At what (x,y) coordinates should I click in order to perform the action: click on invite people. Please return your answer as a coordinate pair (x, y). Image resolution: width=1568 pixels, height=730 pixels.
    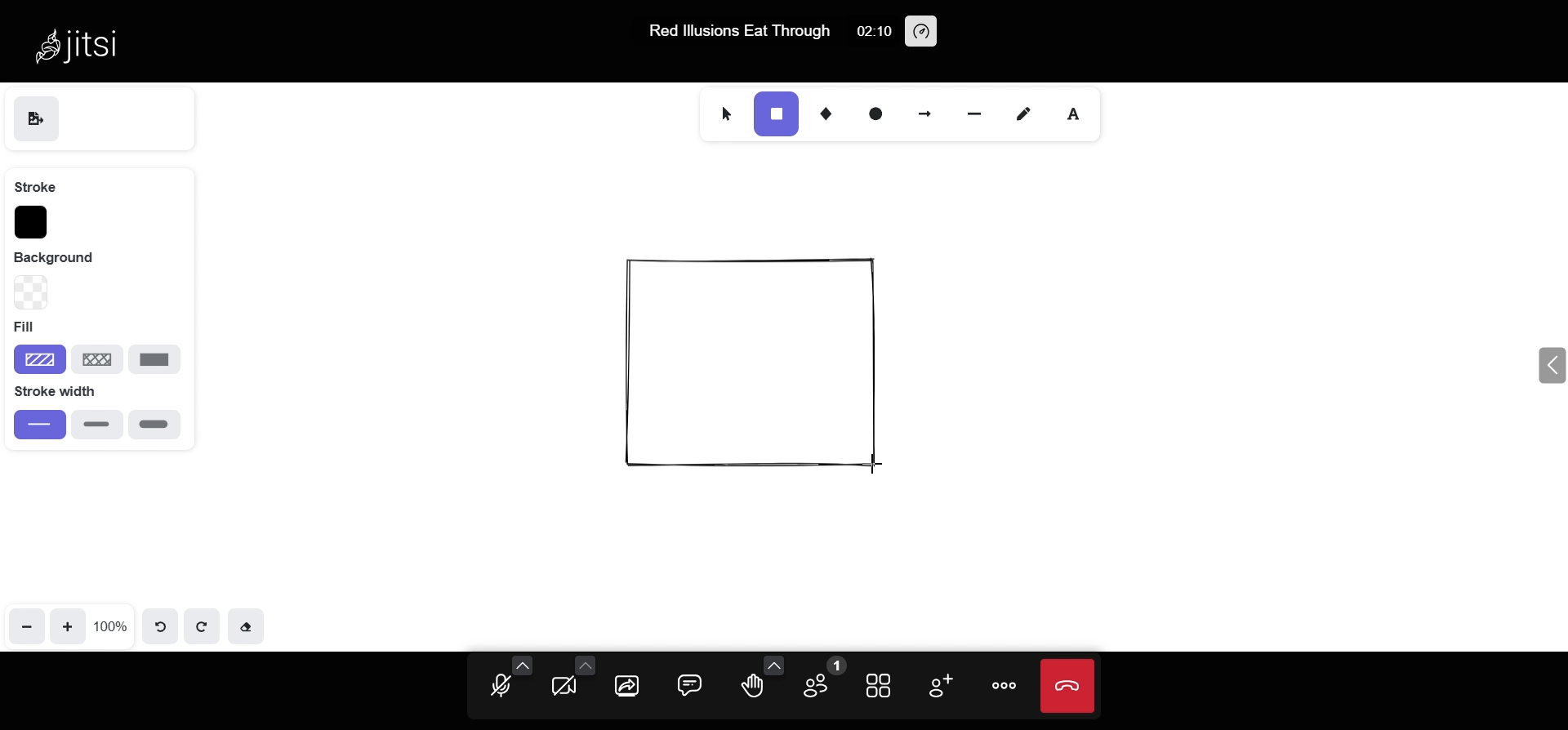
    Looking at the image, I should click on (938, 686).